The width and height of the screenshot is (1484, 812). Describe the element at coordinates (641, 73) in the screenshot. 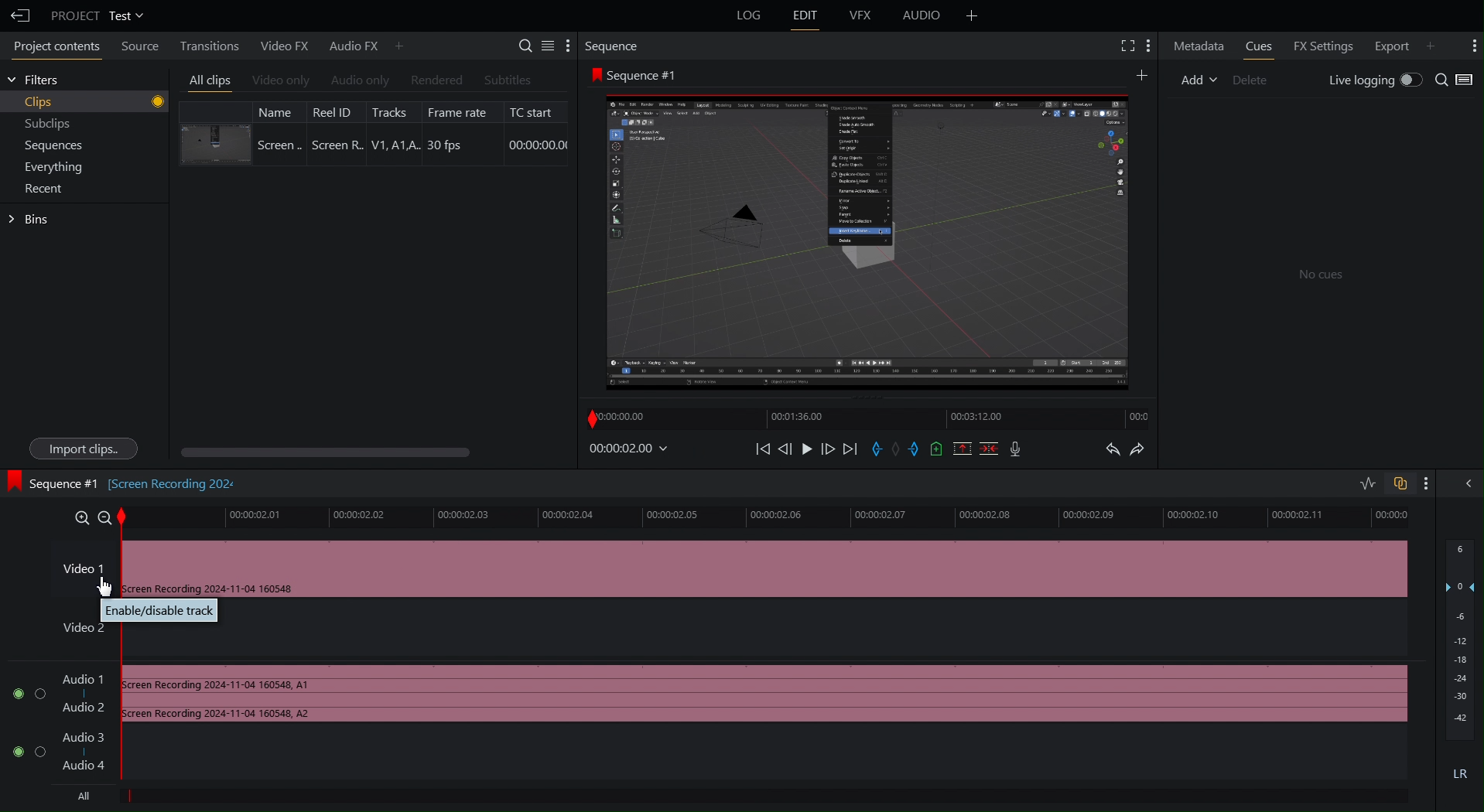

I see `Sequence #1` at that location.